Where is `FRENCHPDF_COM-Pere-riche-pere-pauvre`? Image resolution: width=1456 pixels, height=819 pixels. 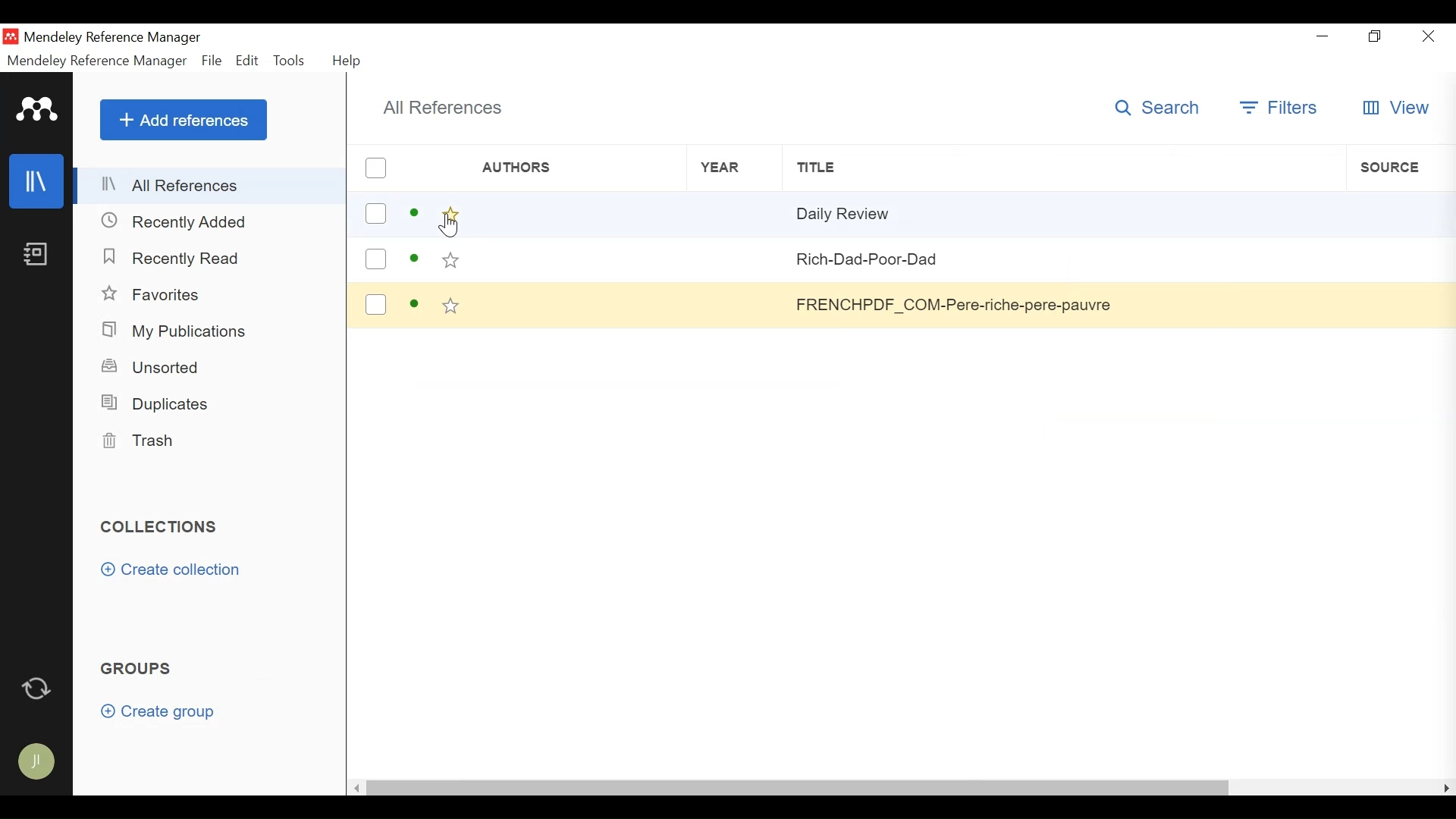 FRENCHPDF_COM-Pere-riche-pere-pauvre is located at coordinates (962, 303).